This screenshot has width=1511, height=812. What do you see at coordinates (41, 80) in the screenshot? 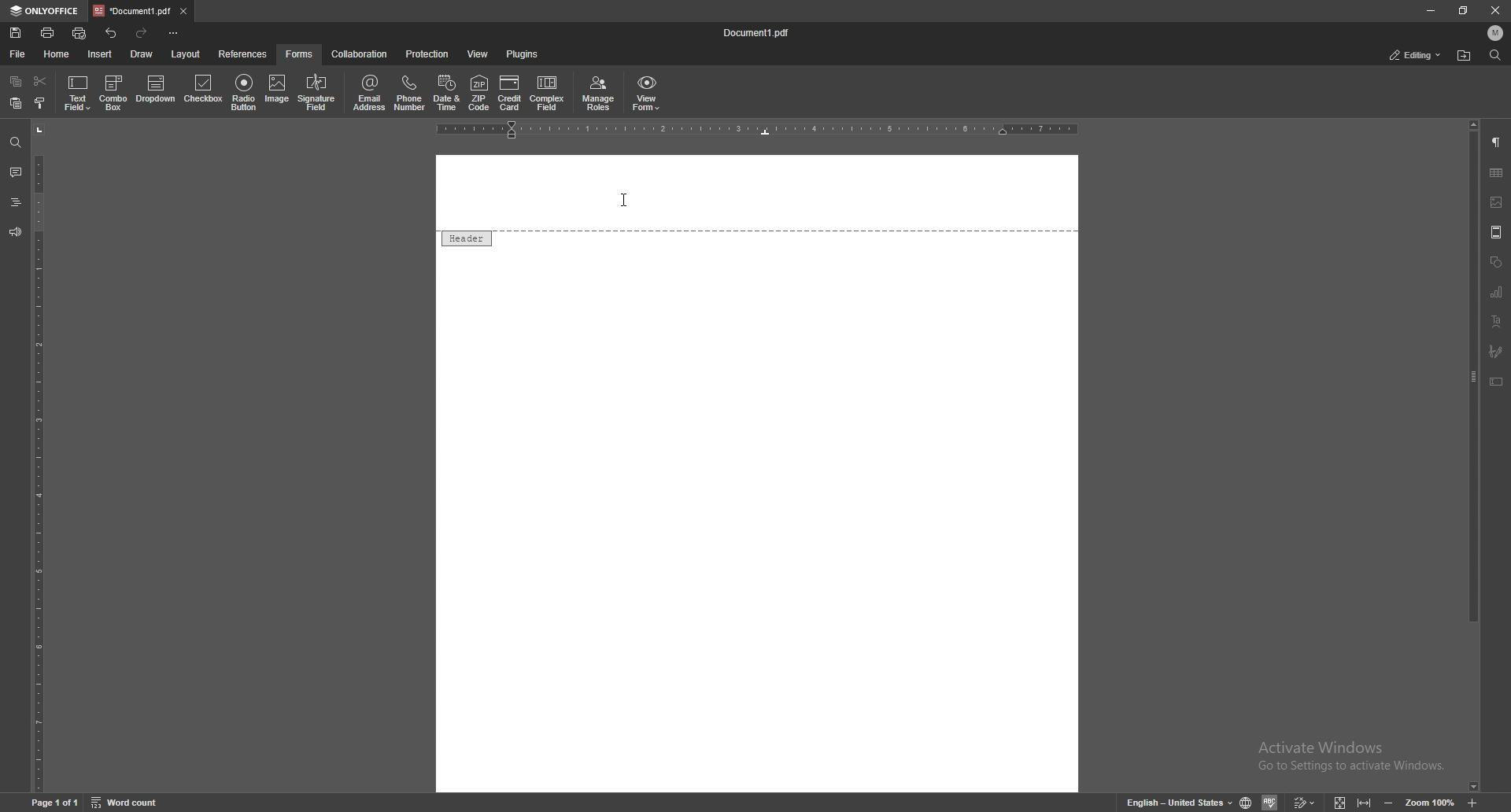
I see `cut` at bounding box center [41, 80].